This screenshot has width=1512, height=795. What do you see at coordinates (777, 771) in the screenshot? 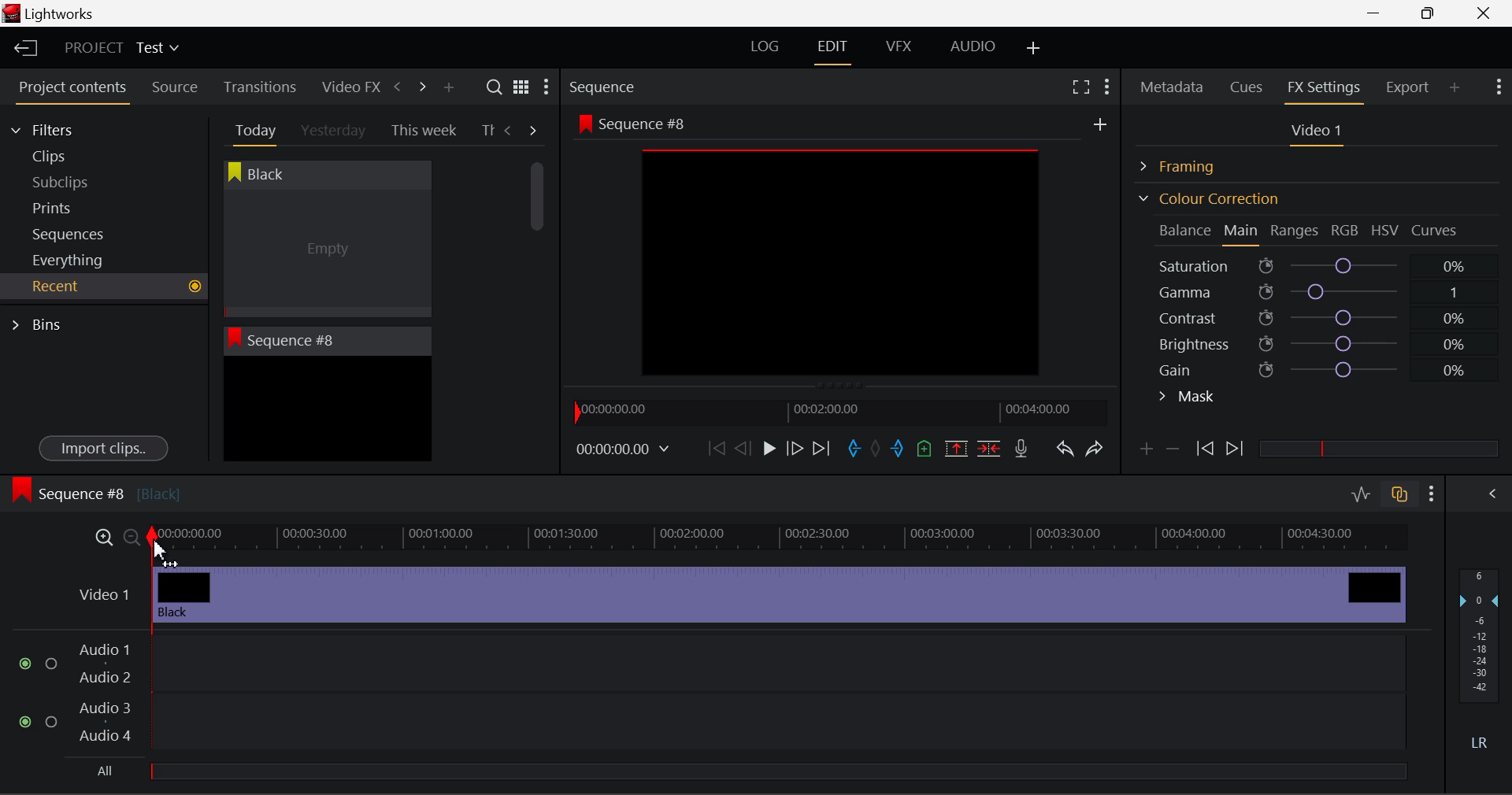
I see `slider` at bounding box center [777, 771].